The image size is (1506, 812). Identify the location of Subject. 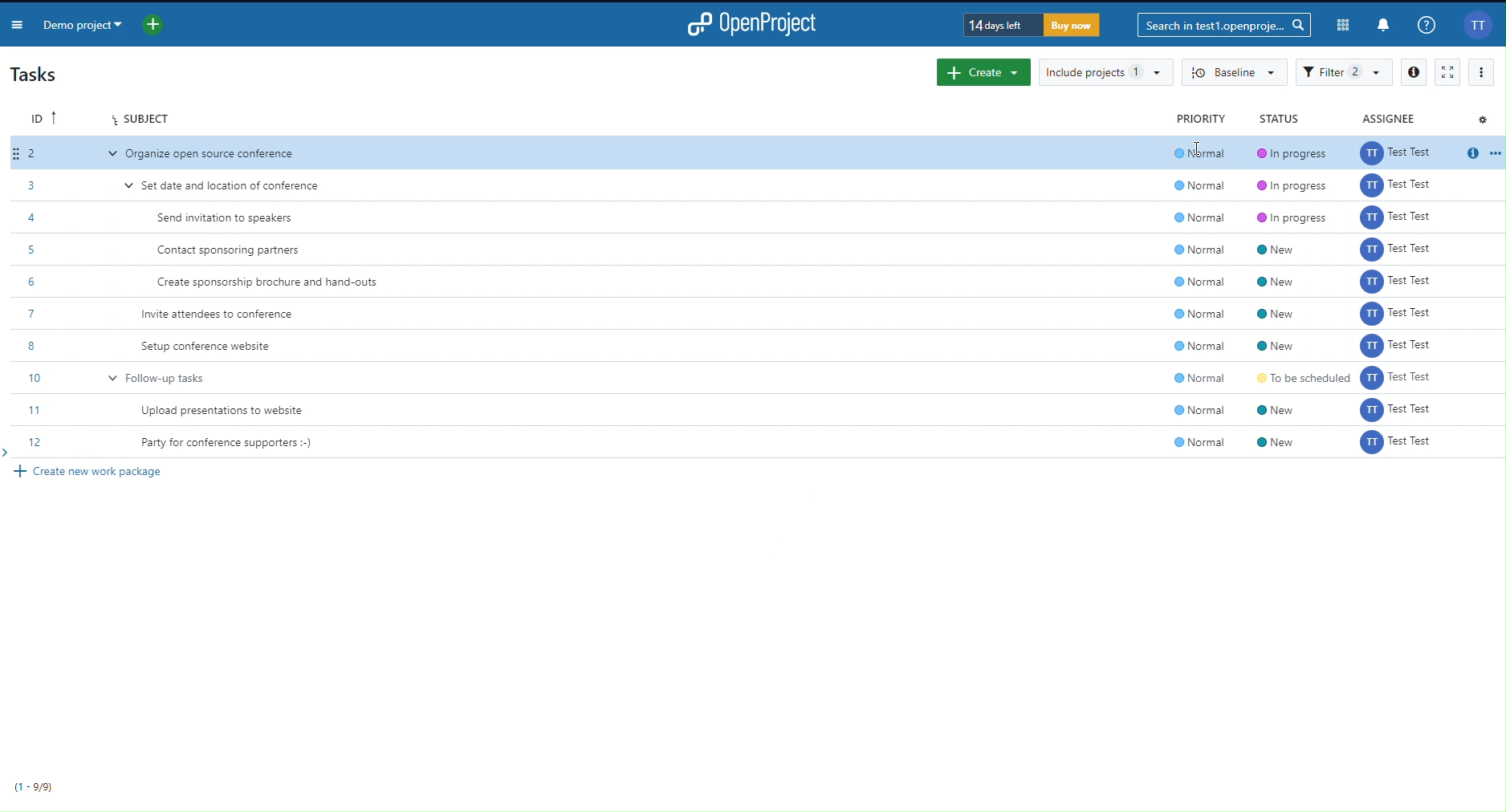
(140, 116).